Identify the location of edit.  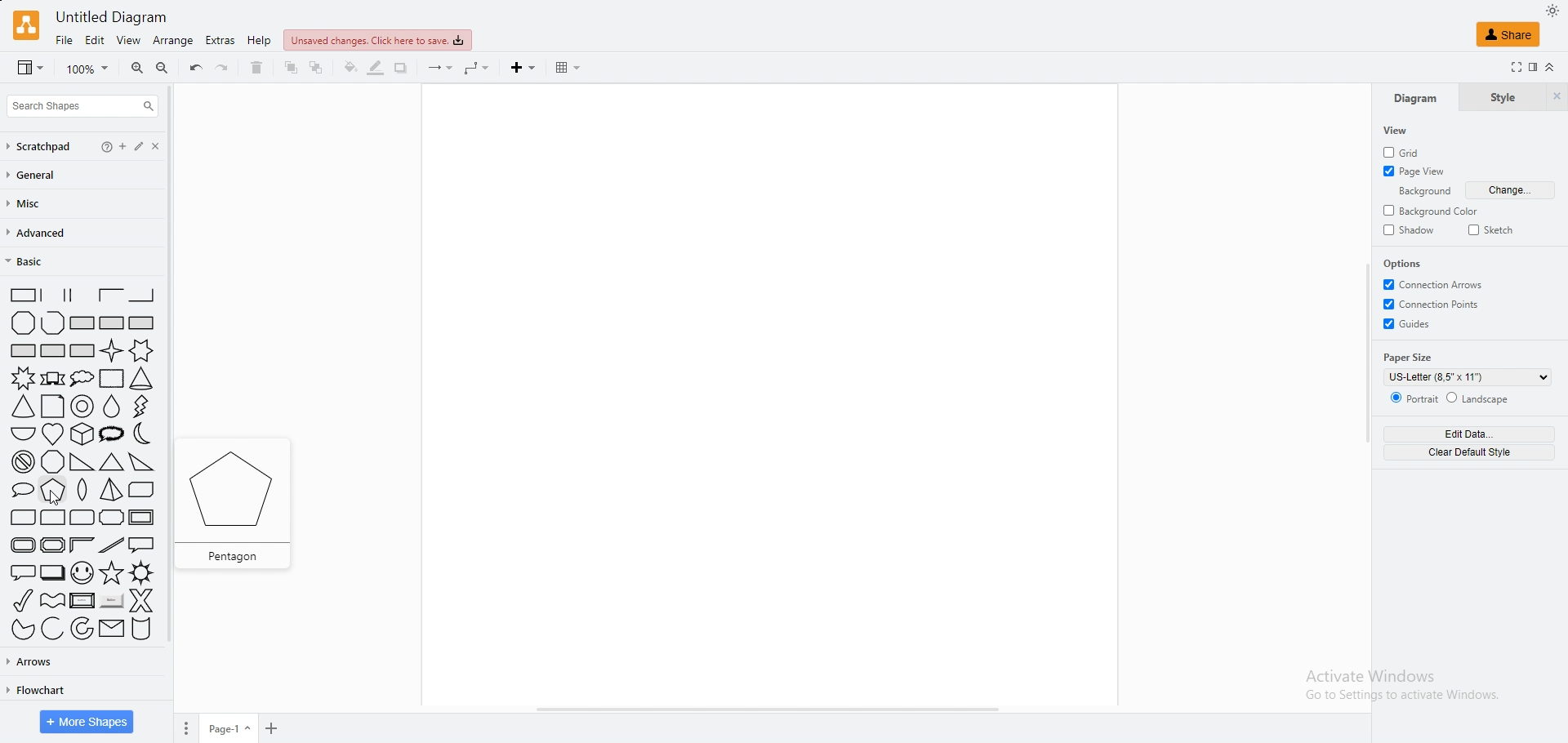
(149, 146).